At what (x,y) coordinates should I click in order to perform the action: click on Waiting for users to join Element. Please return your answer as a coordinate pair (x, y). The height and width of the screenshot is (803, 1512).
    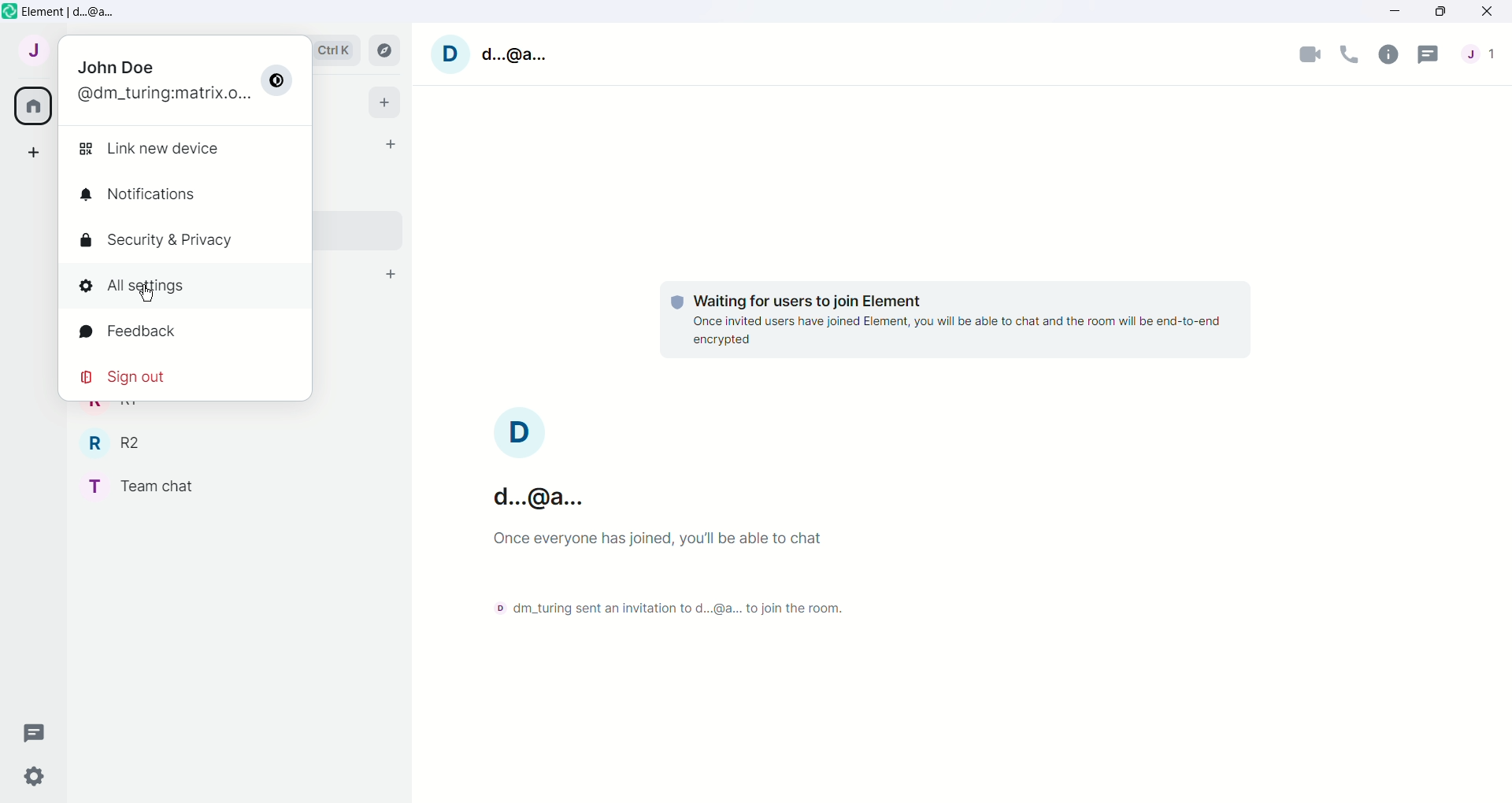
    Looking at the image, I should click on (808, 301).